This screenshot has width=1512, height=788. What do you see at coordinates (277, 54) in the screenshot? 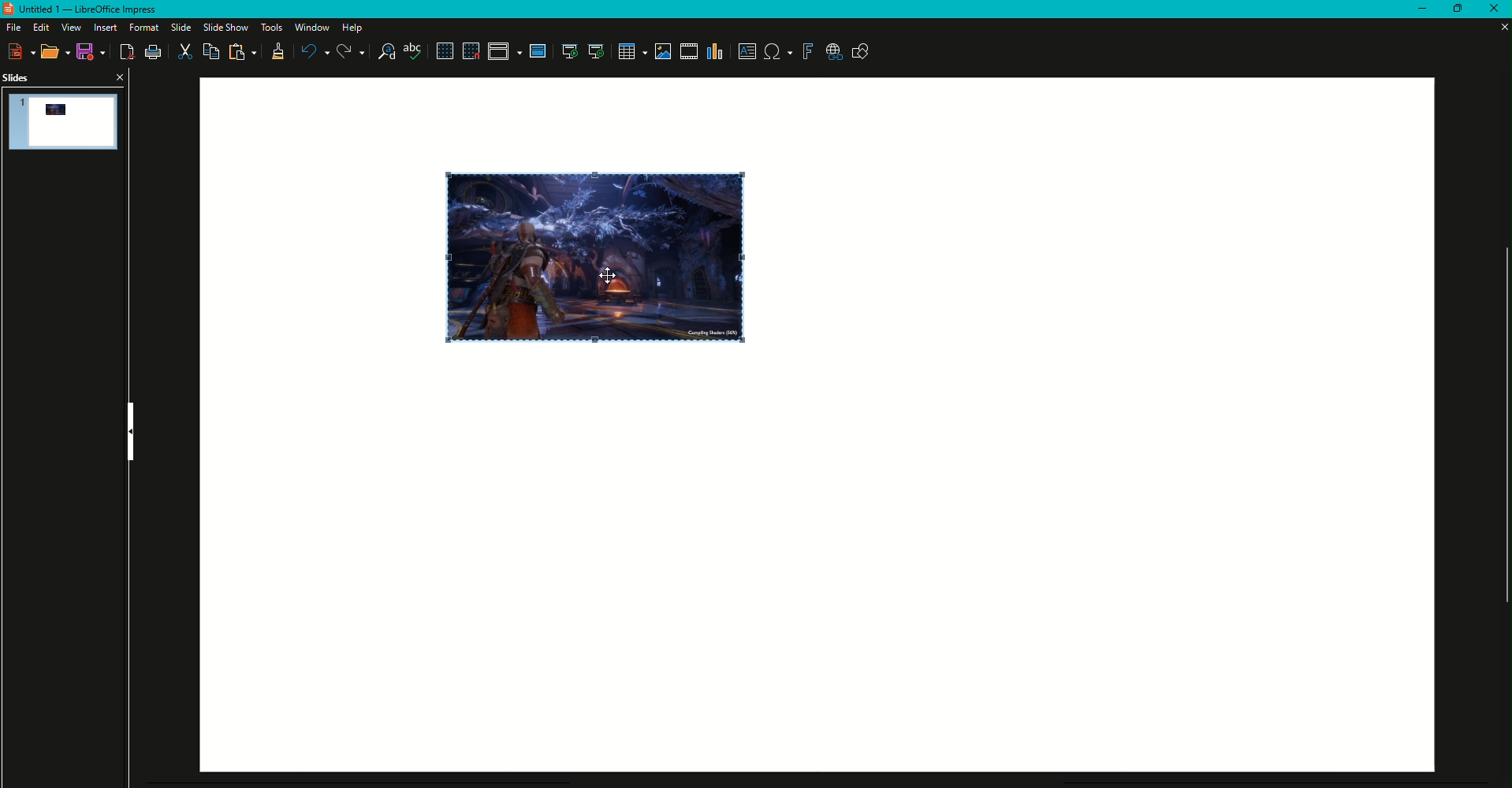
I see `Clone Formatting` at bounding box center [277, 54].